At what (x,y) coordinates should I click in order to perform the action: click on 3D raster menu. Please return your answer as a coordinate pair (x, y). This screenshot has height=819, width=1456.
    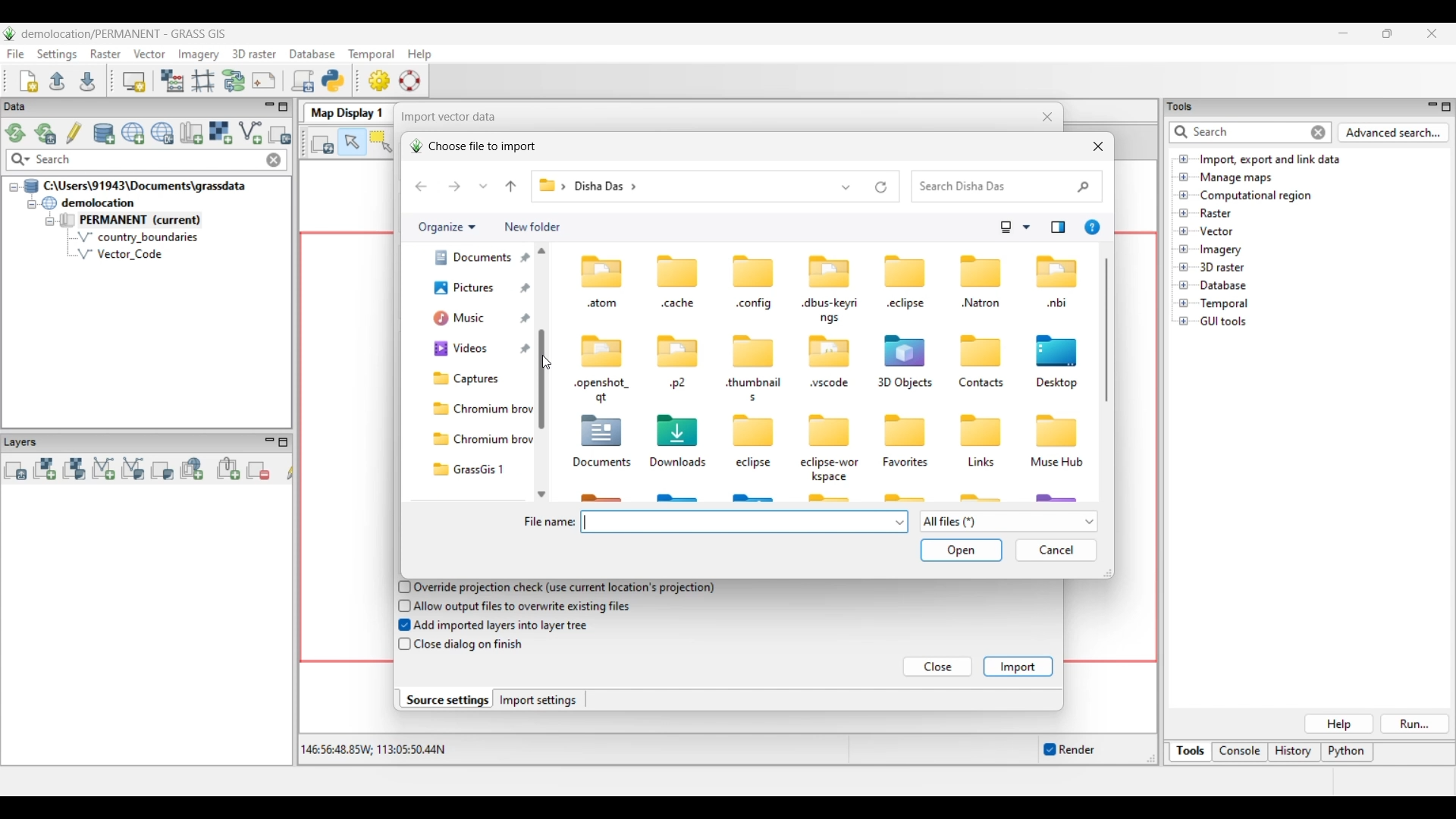
    Looking at the image, I should click on (254, 53).